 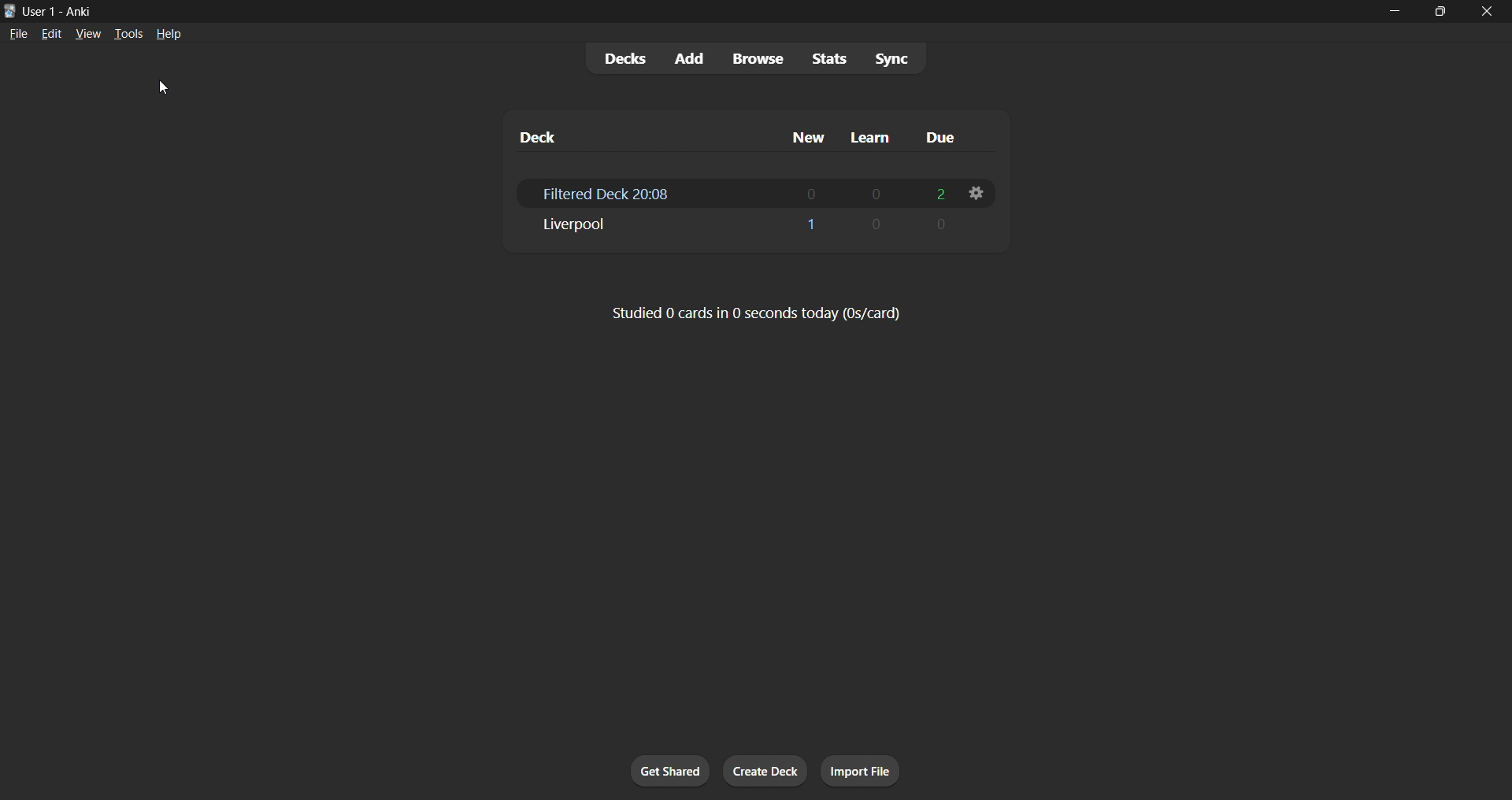 I want to click on 2, so click(x=932, y=194).